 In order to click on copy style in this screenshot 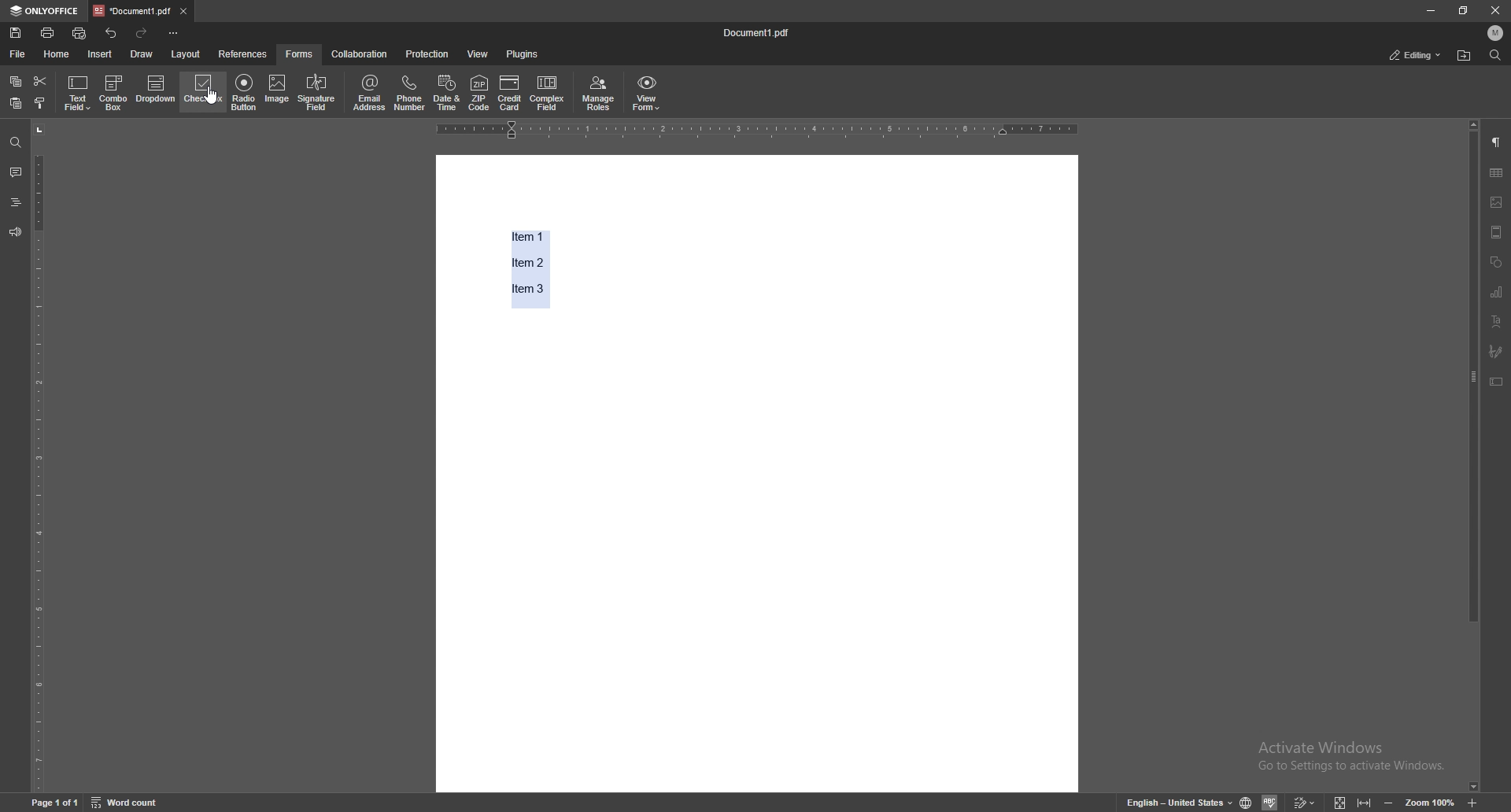, I will do `click(41, 102)`.